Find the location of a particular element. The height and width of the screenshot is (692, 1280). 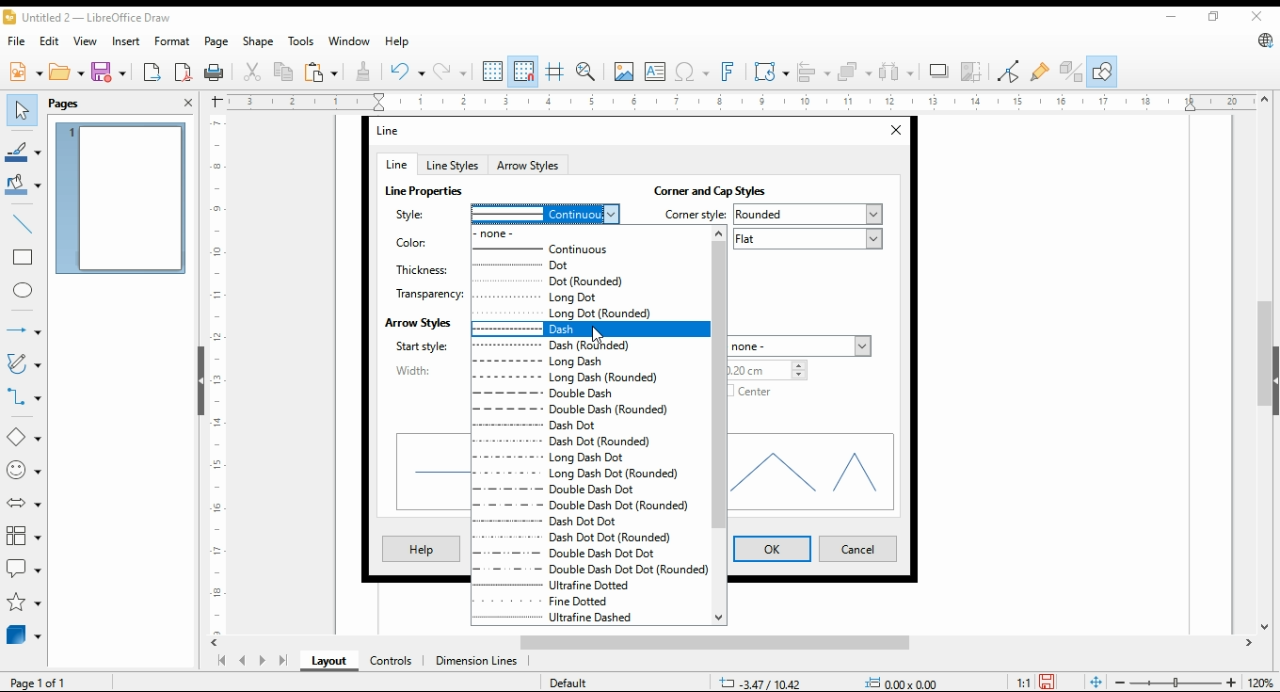

cut is located at coordinates (250, 73).